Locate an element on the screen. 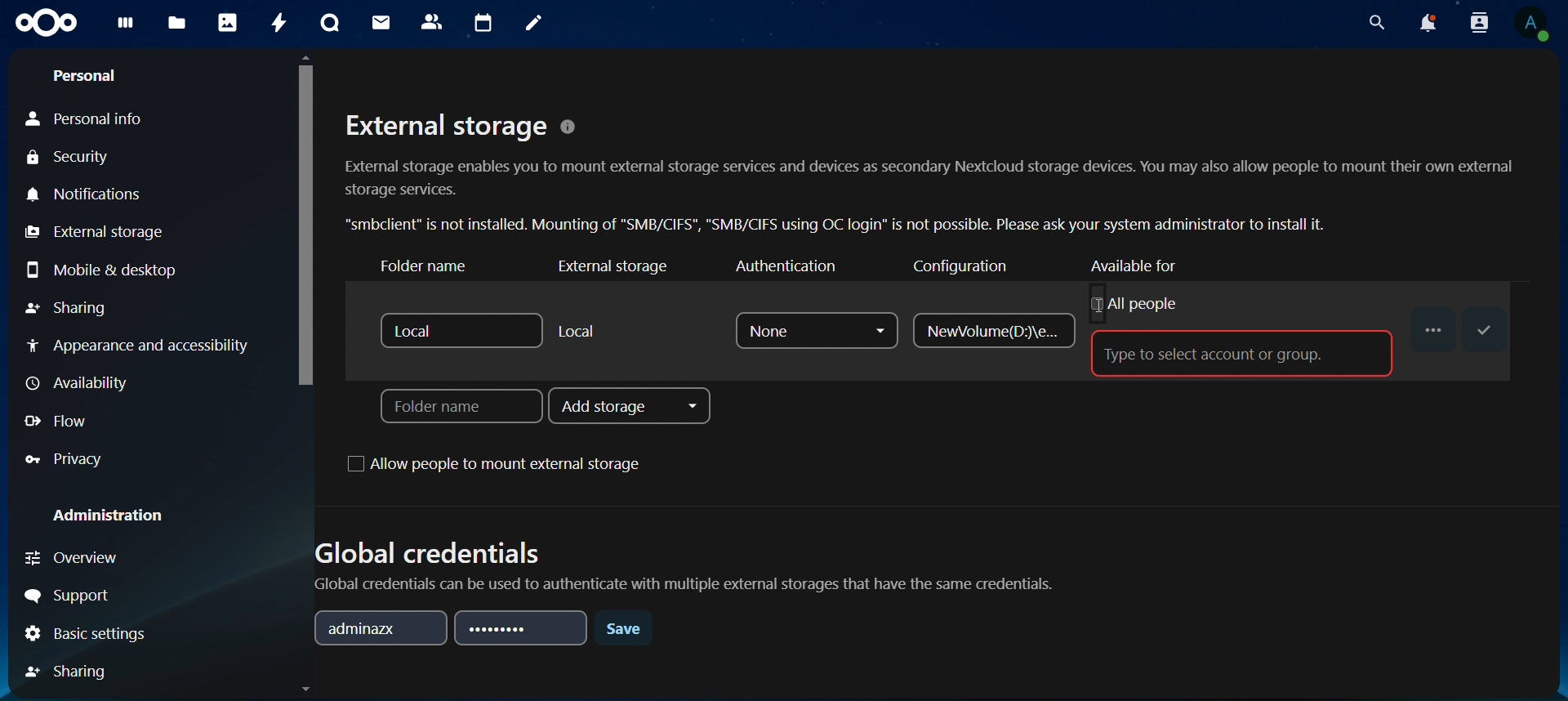  mobile & desktop is located at coordinates (101, 269).